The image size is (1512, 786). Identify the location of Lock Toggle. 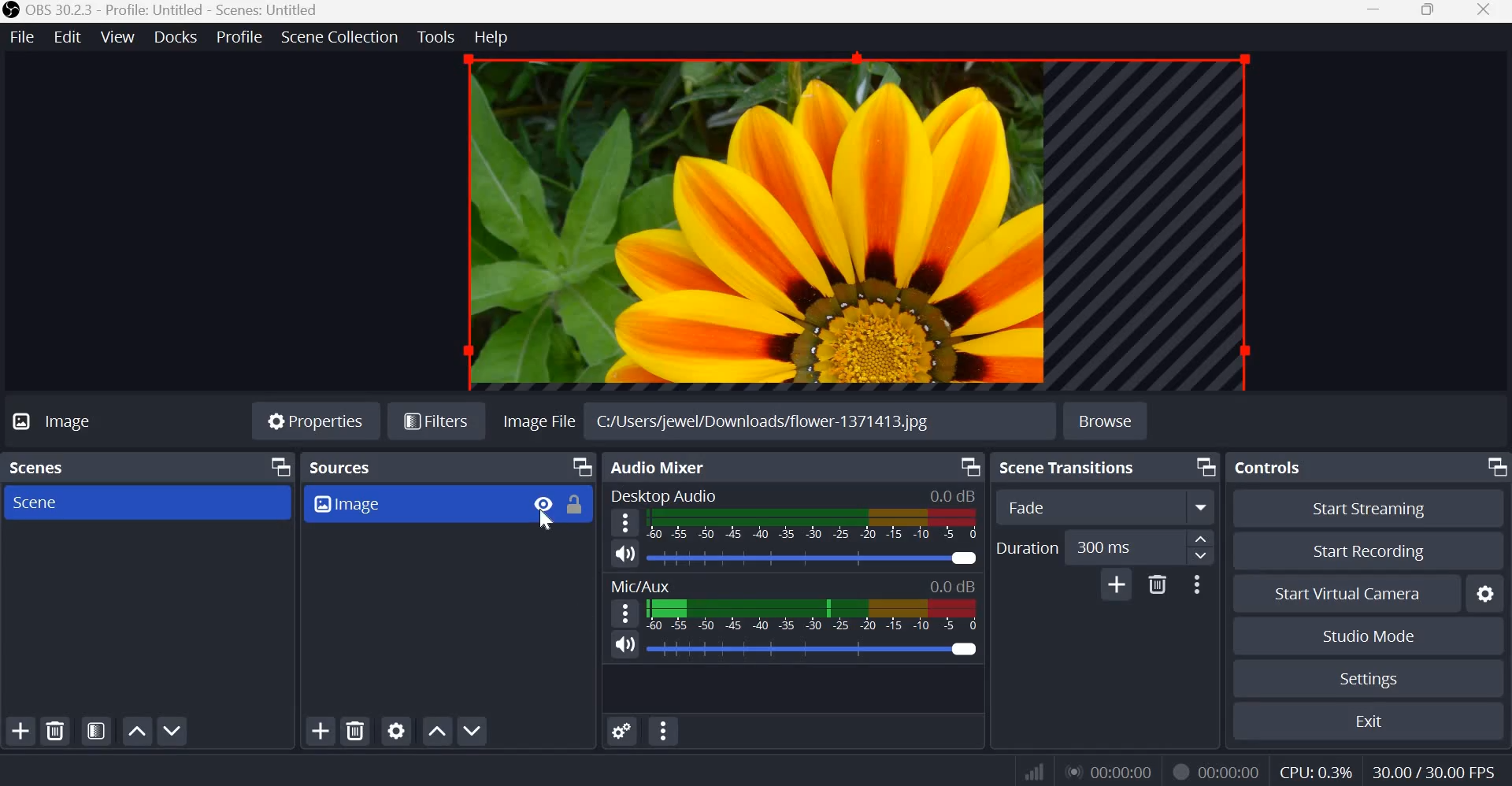
(576, 506).